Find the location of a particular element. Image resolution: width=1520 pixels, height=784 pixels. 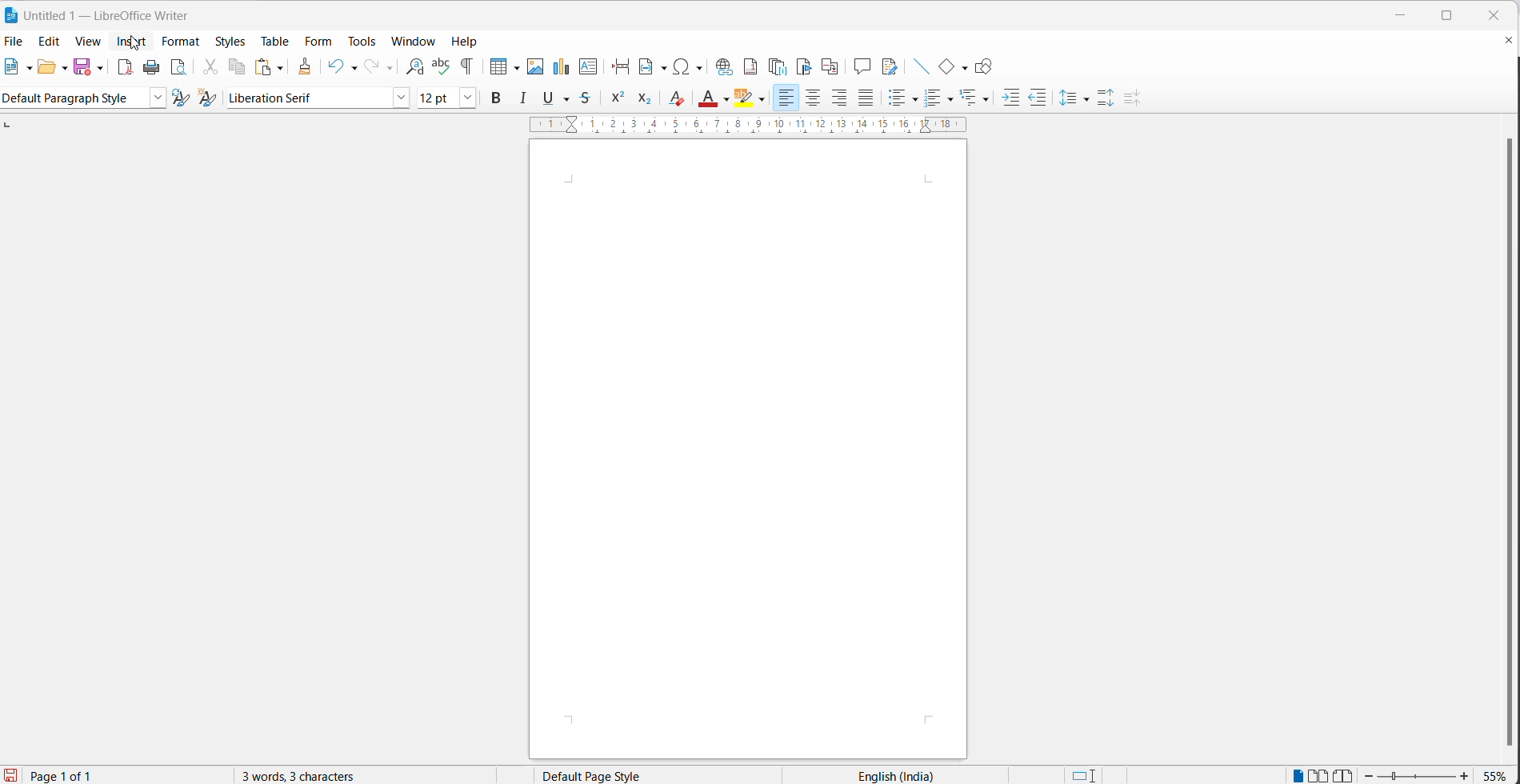

minimize is located at coordinates (1401, 16).